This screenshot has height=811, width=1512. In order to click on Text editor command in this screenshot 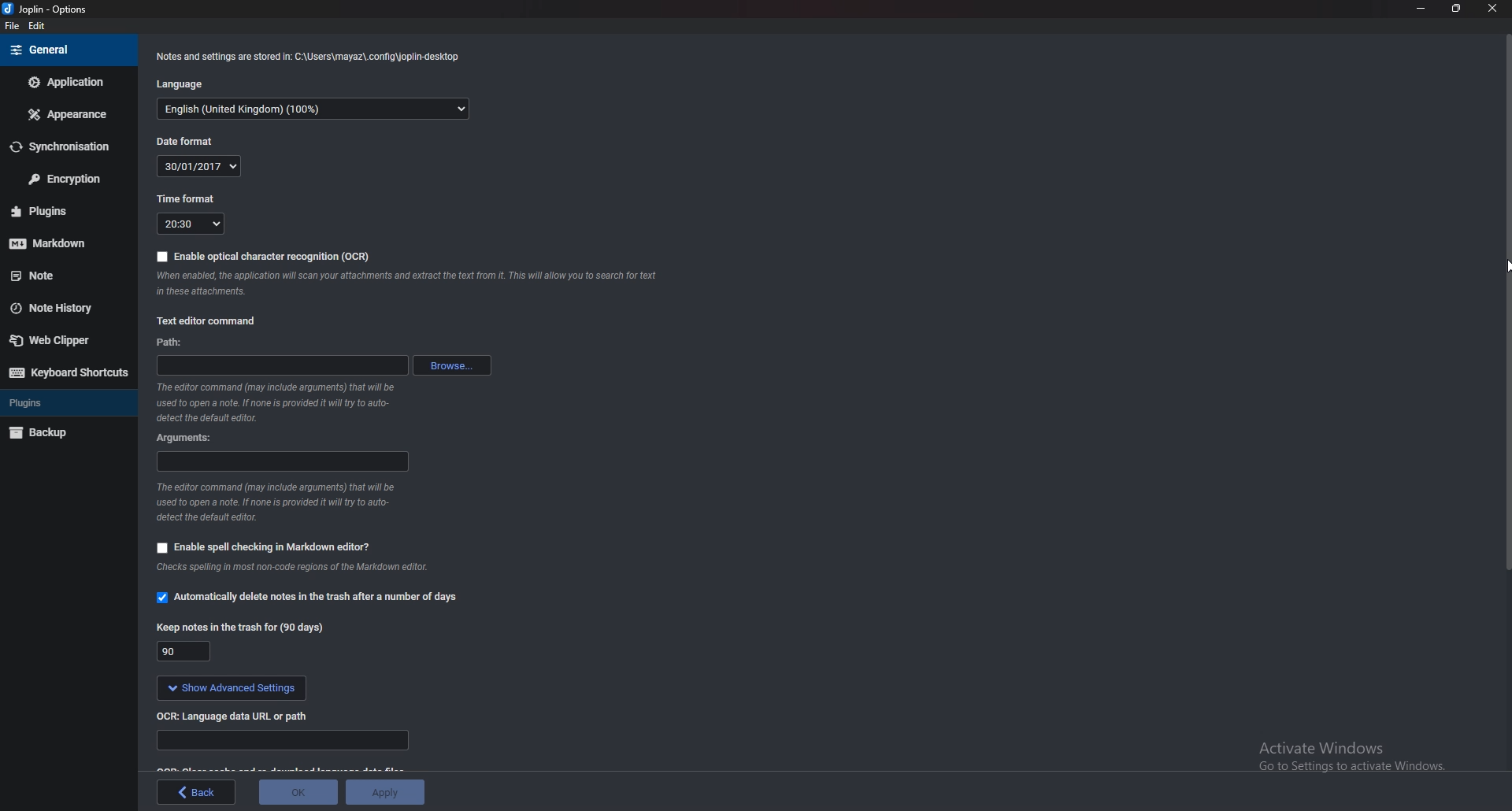, I will do `click(212, 321)`.